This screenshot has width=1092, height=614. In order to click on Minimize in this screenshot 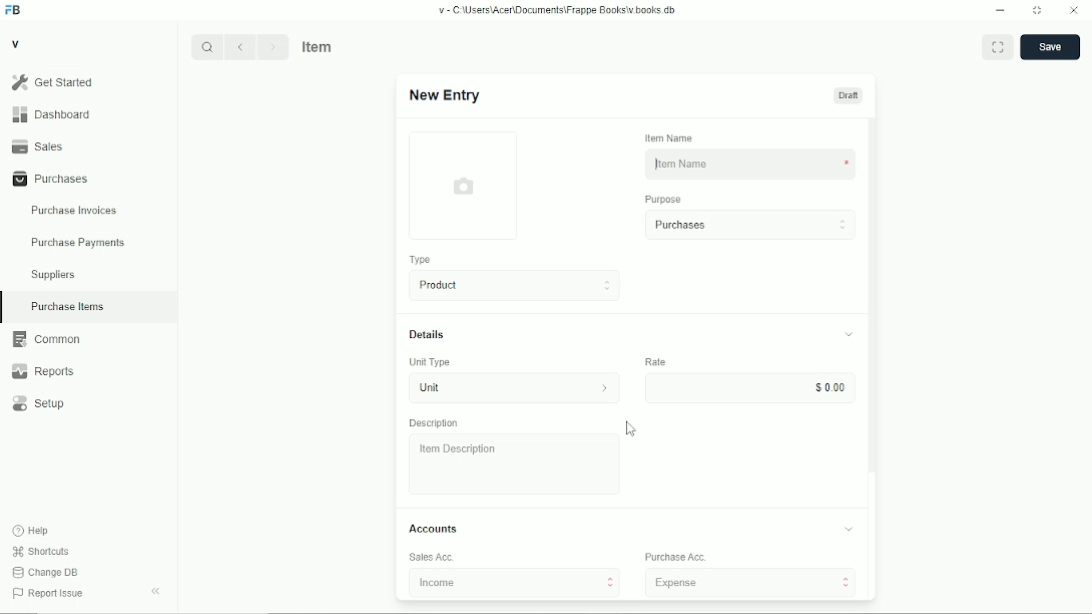, I will do `click(1000, 10)`.